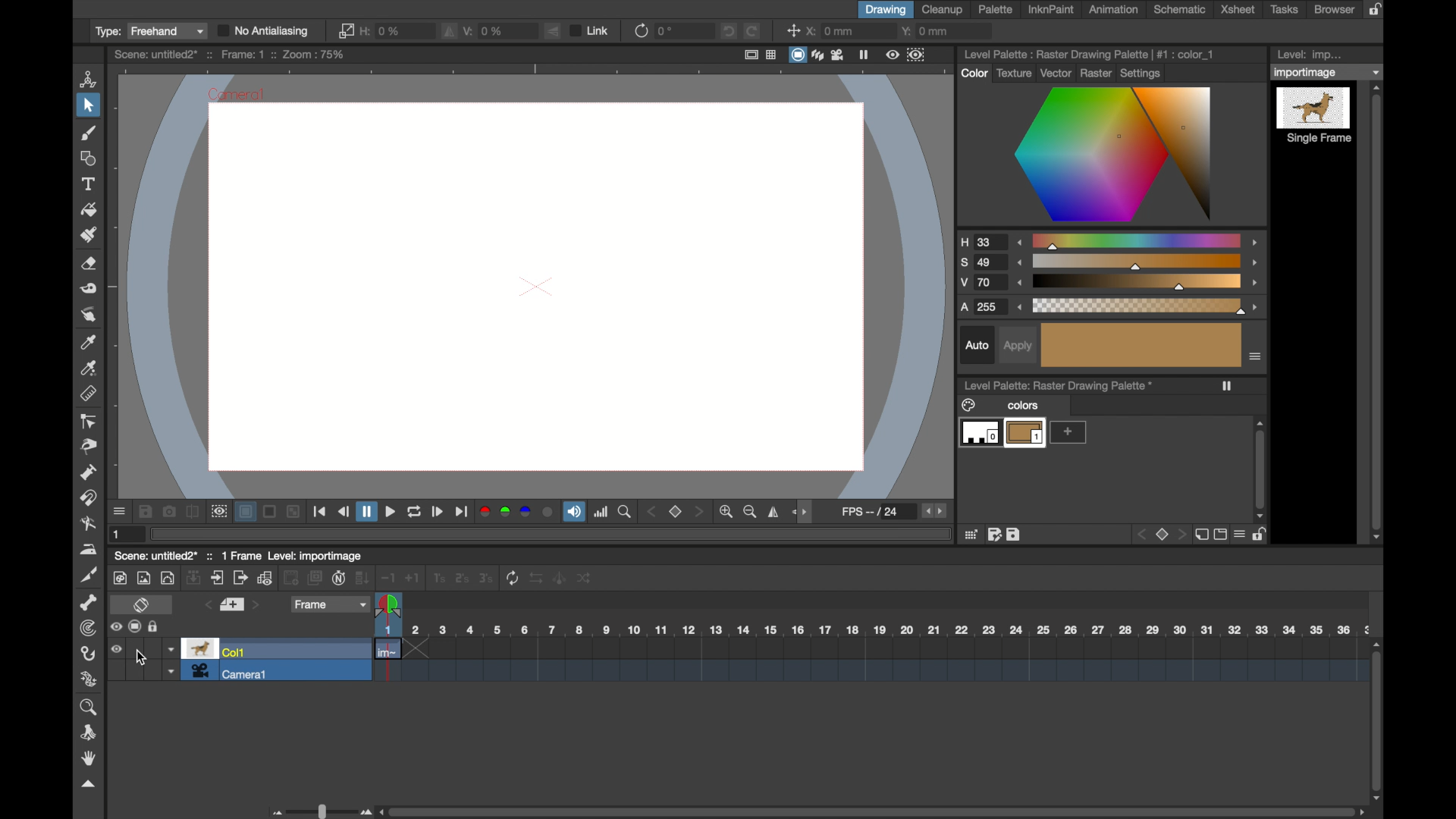 The height and width of the screenshot is (819, 1456). What do you see at coordinates (652, 512) in the screenshot?
I see `back` at bounding box center [652, 512].